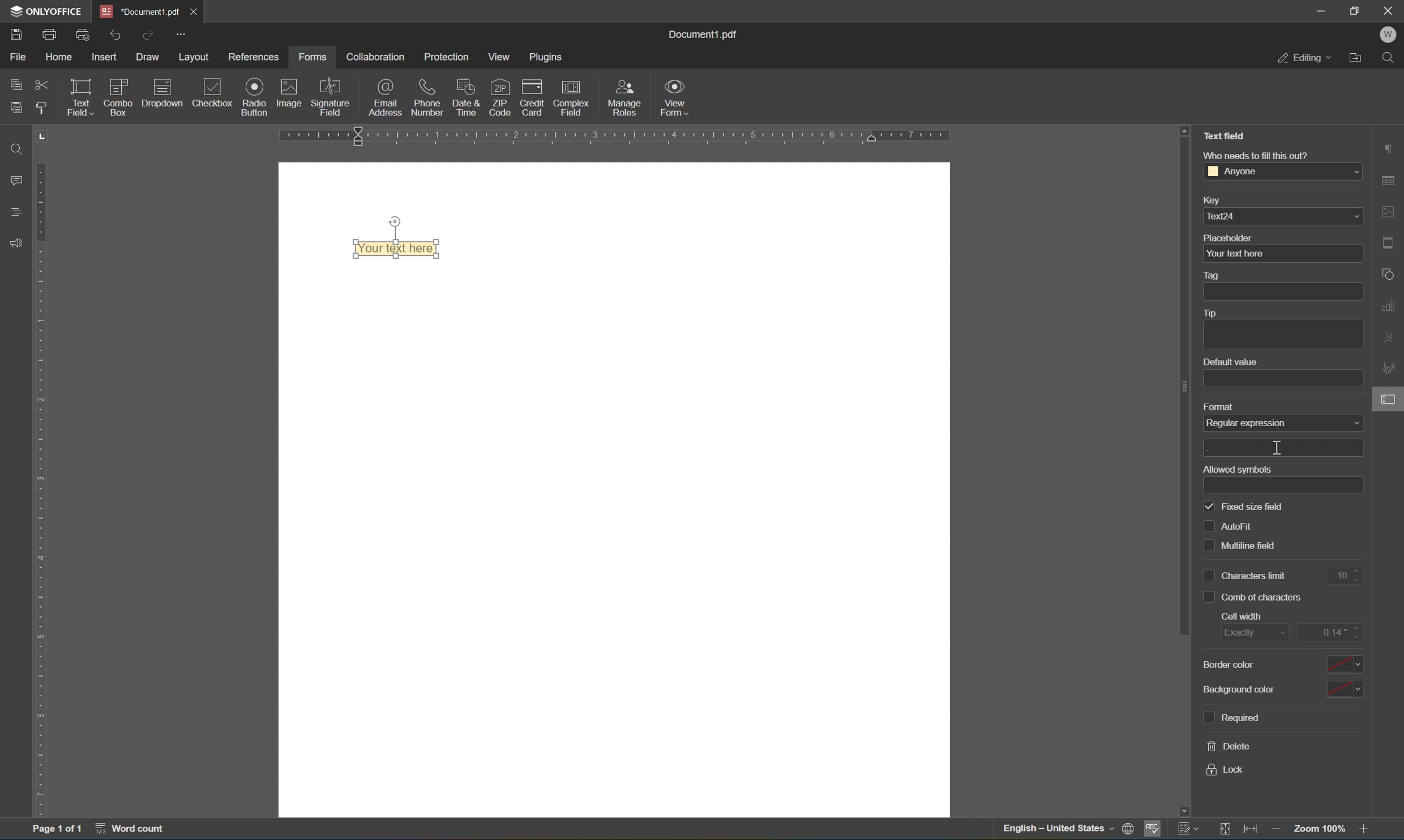 This screenshot has height=840, width=1404. What do you see at coordinates (196, 58) in the screenshot?
I see `layout` at bounding box center [196, 58].